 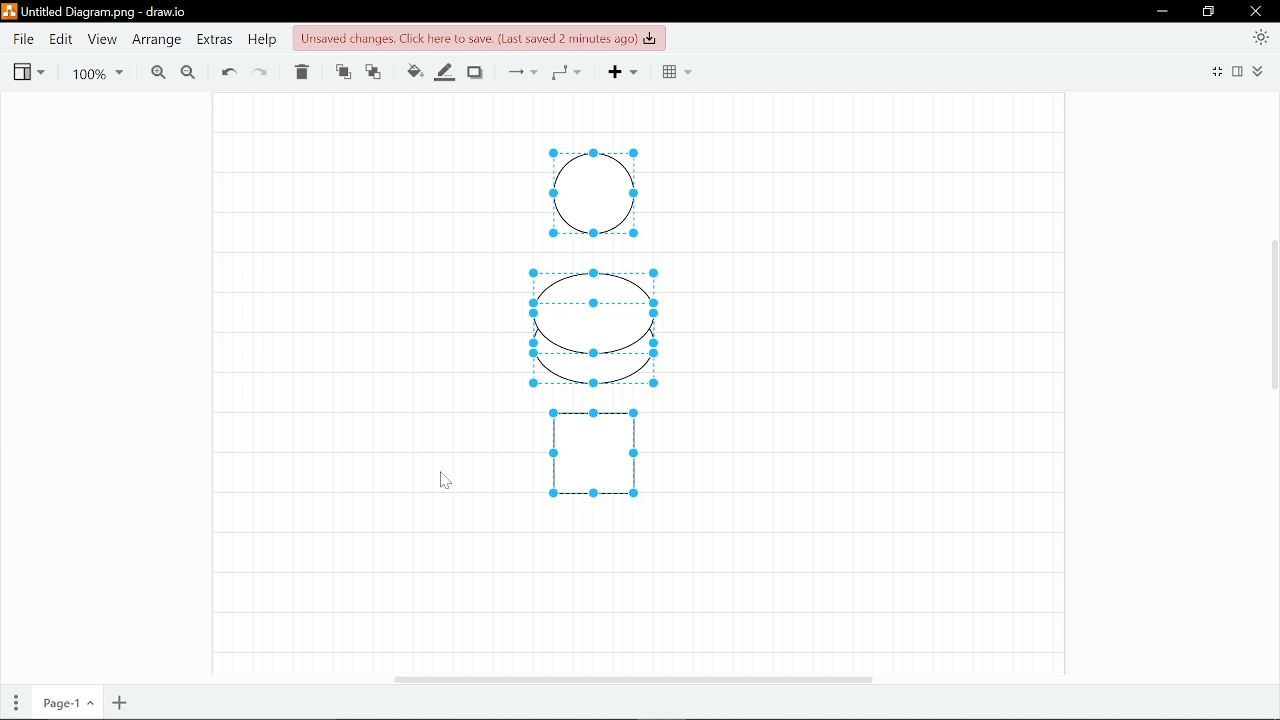 What do you see at coordinates (1257, 71) in the screenshot?
I see `Collapse` at bounding box center [1257, 71].